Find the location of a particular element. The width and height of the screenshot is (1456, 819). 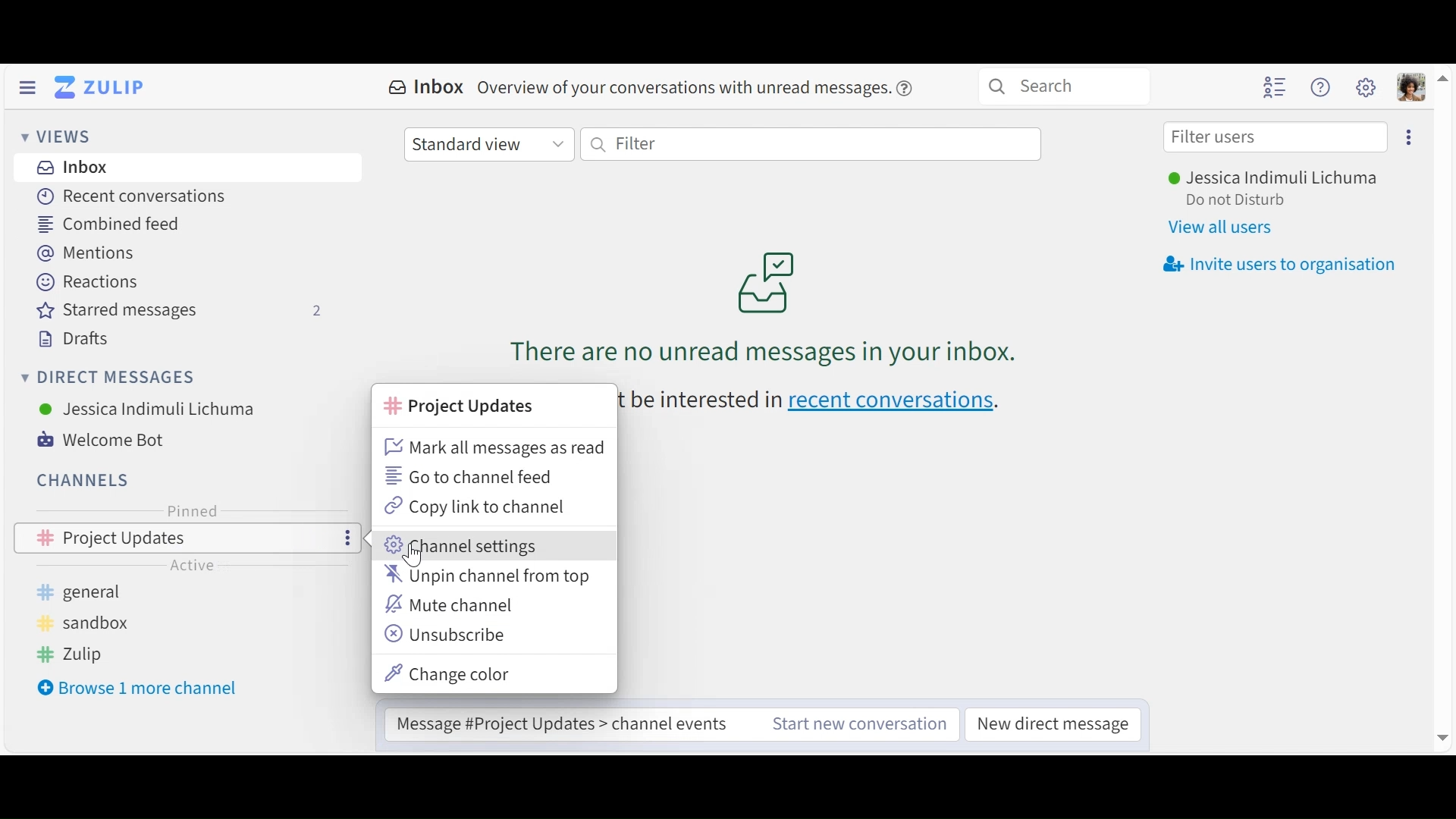

Drafts is located at coordinates (71, 339).